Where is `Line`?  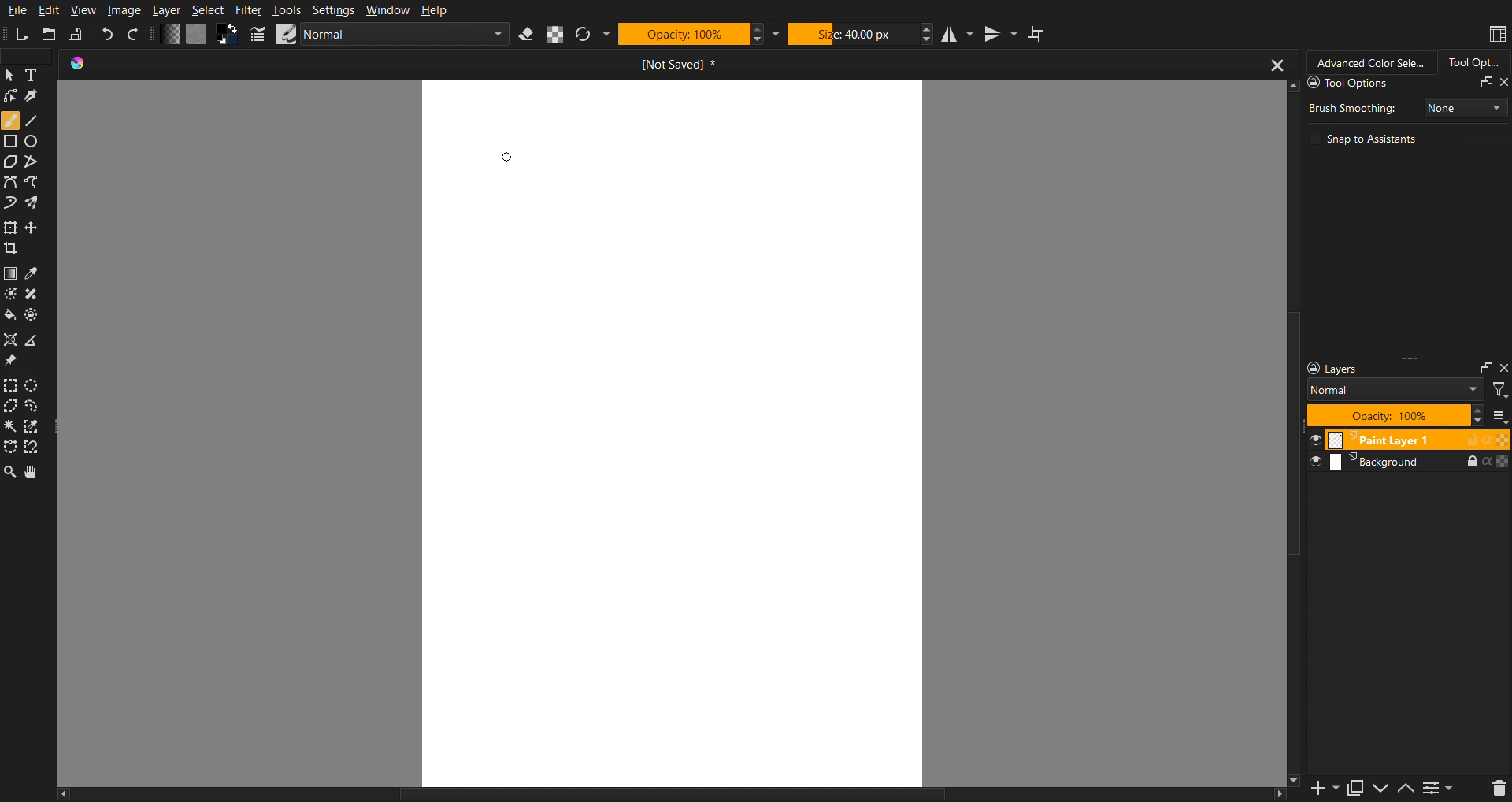 Line is located at coordinates (39, 121).